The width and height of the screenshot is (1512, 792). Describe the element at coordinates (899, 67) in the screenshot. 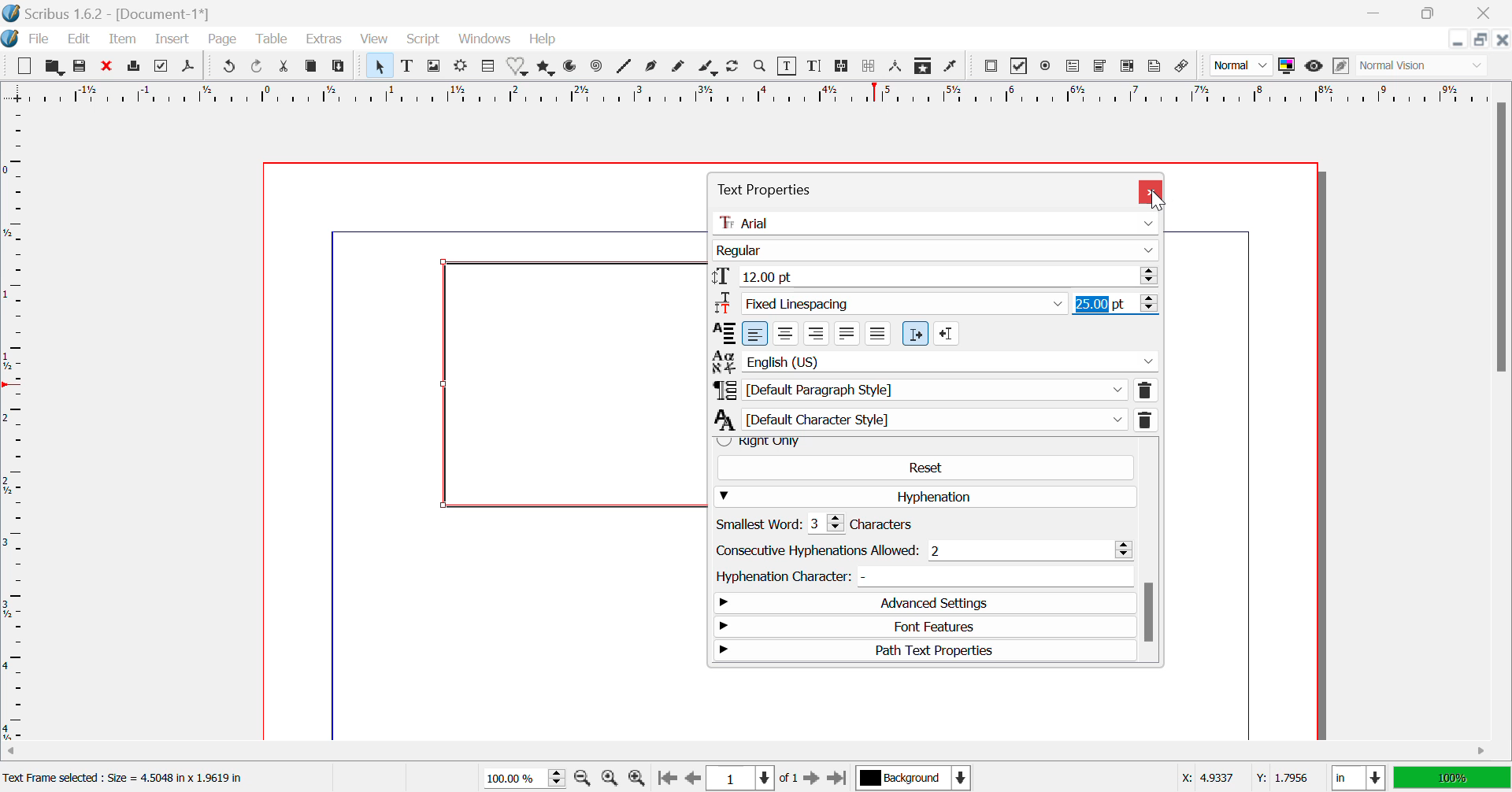

I see `Measurements` at that location.